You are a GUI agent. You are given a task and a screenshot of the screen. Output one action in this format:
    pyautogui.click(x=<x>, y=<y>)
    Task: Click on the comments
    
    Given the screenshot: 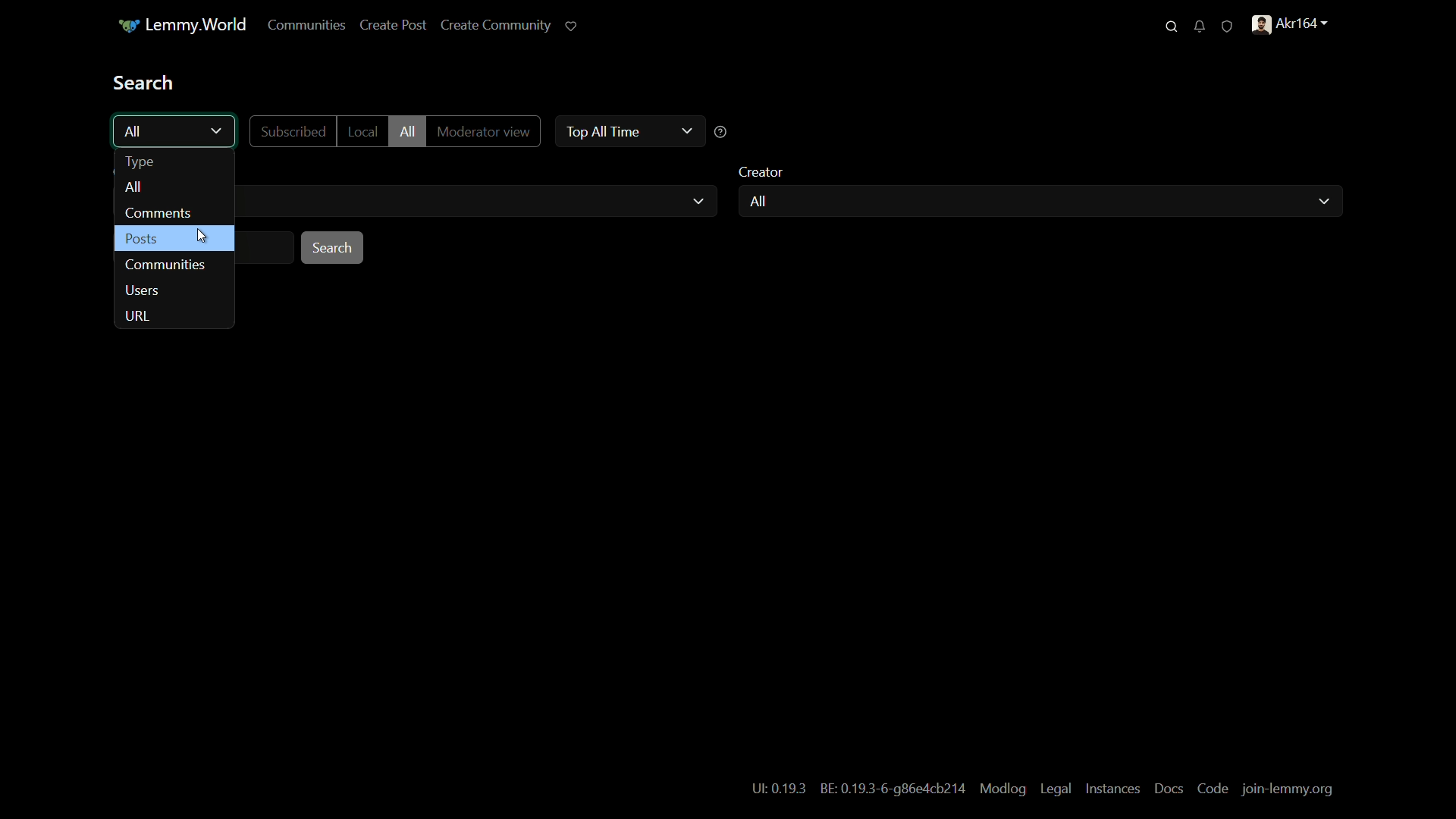 What is the action you would take?
    pyautogui.click(x=158, y=213)
    